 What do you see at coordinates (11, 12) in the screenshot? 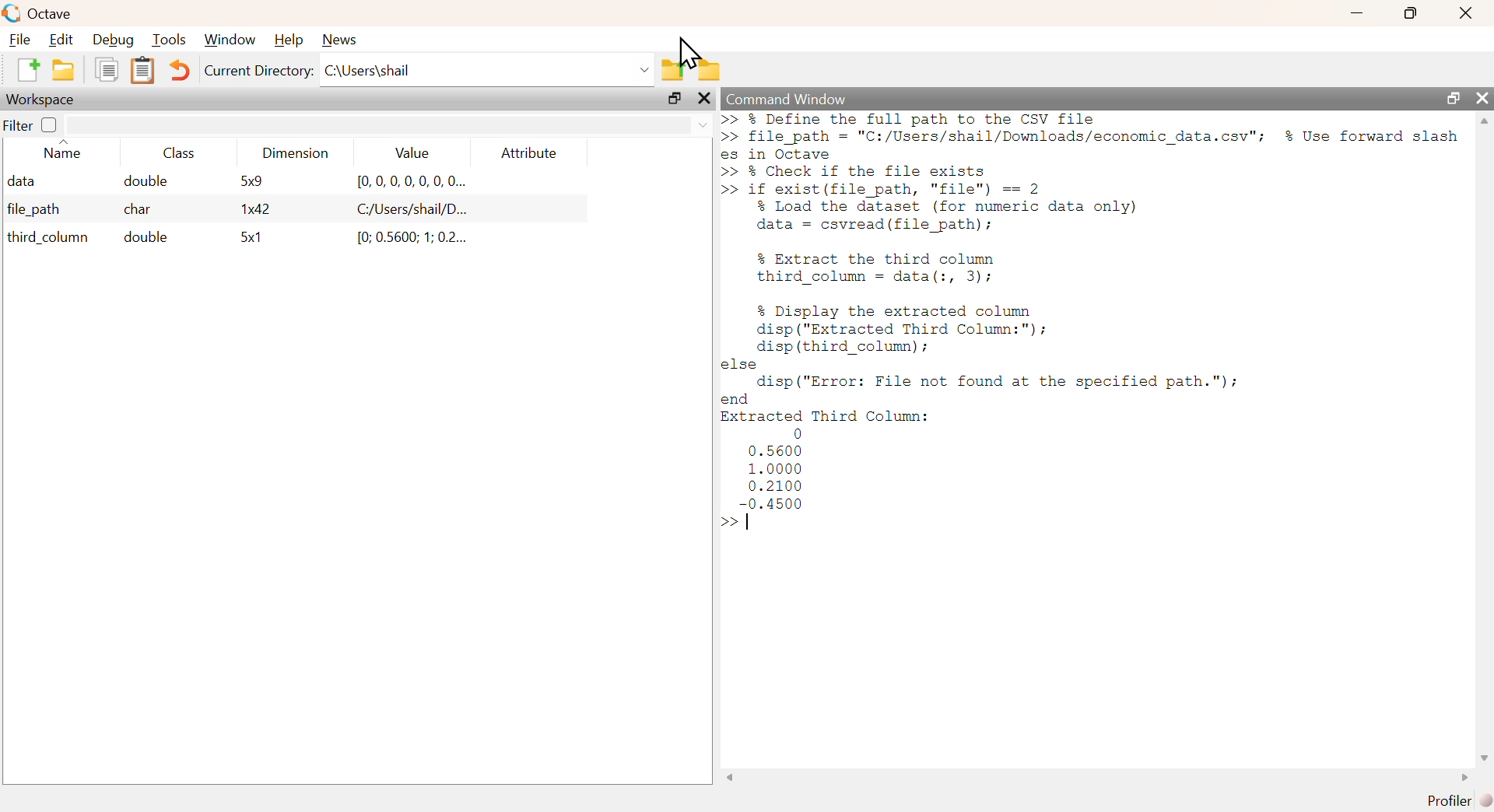
I see `octave logo` at bounding box center [11, 12].